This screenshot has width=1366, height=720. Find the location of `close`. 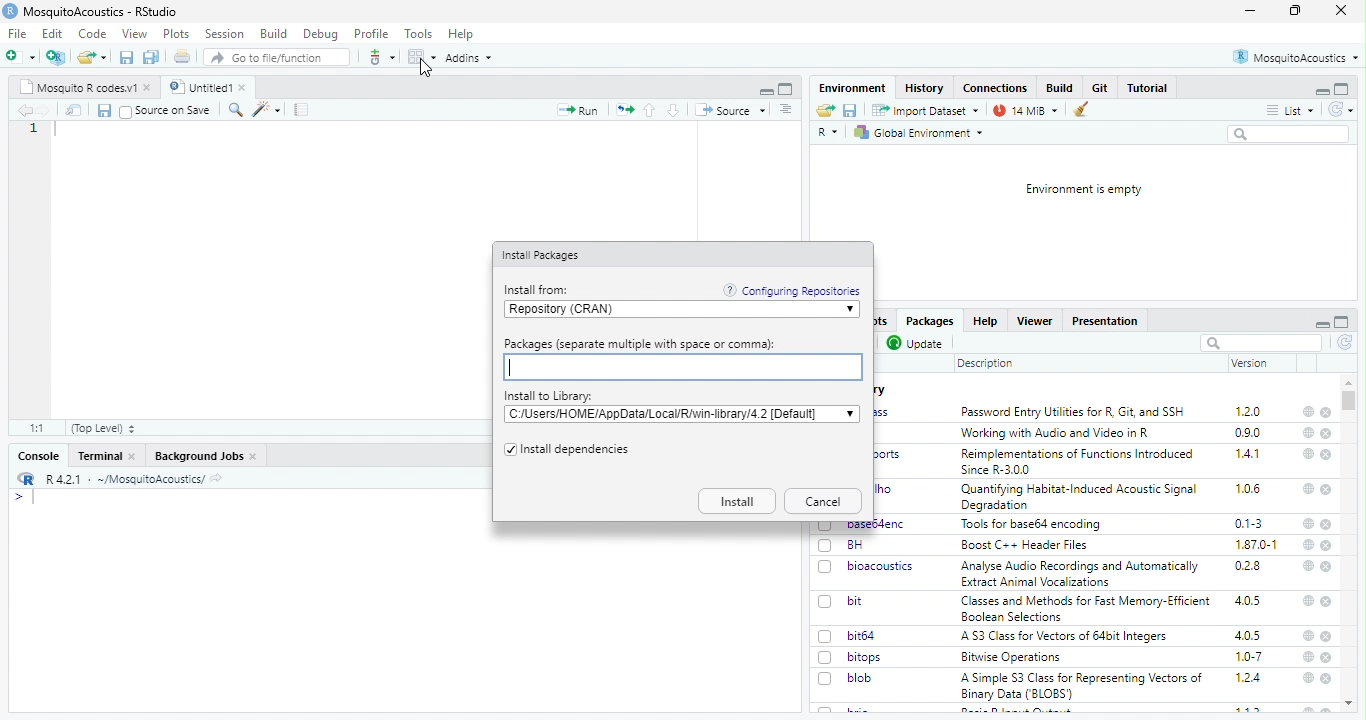

close is located at coordinates (254, 457).